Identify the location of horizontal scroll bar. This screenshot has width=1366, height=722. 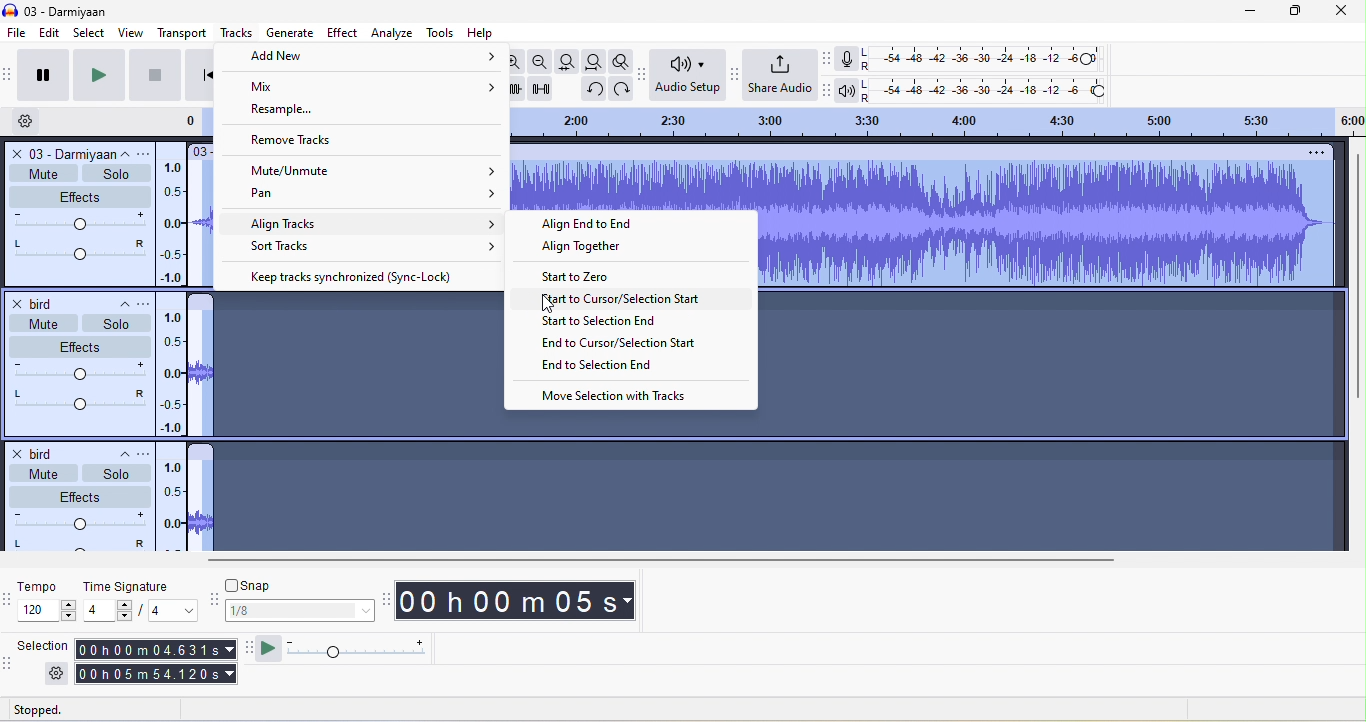
(656, 559).